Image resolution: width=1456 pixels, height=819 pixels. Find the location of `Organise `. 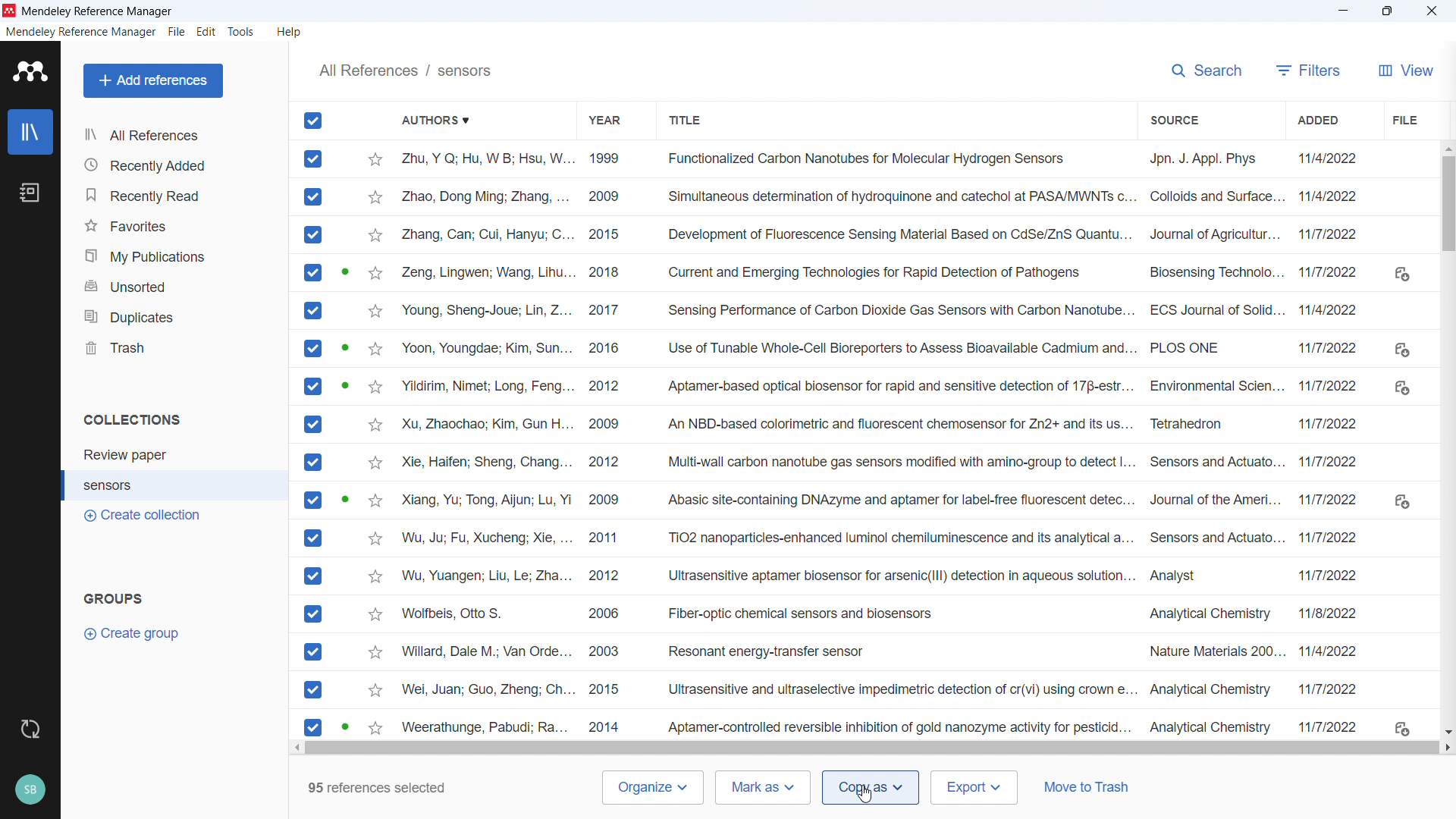

Organise  is located at coordinates (655, 788).